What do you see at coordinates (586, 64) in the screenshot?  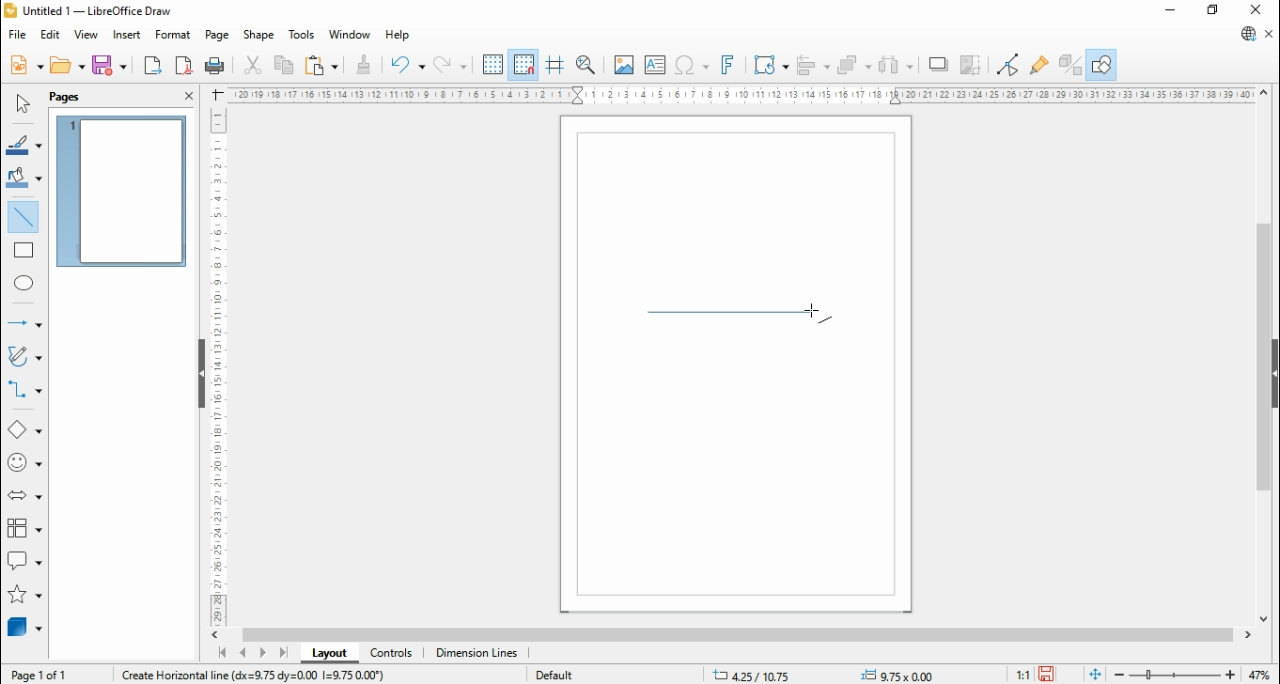 I see `pan and zoom` at bounding box center [586, 64].